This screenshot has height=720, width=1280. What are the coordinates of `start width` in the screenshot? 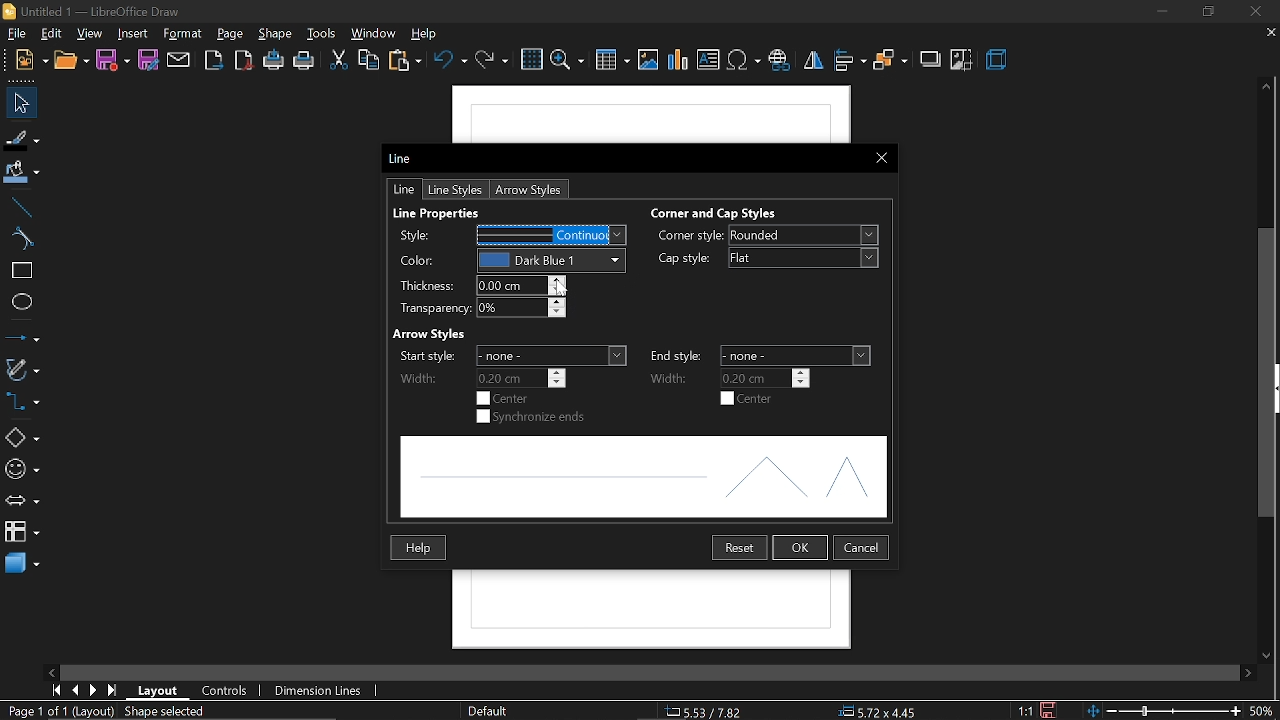 It's located at (522, 378).